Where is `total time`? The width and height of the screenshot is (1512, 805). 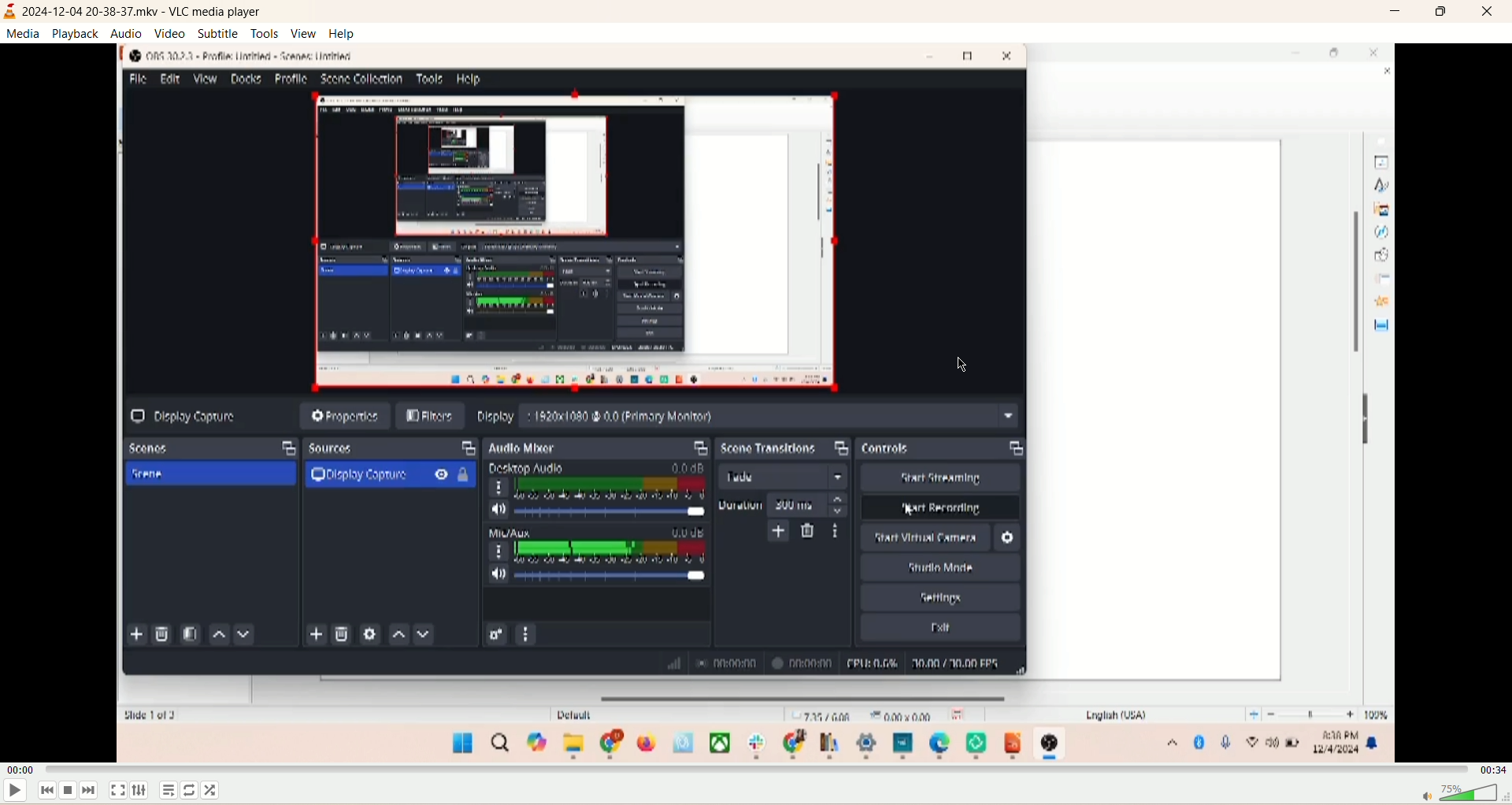
total time is located at coordinates (1489, 768).